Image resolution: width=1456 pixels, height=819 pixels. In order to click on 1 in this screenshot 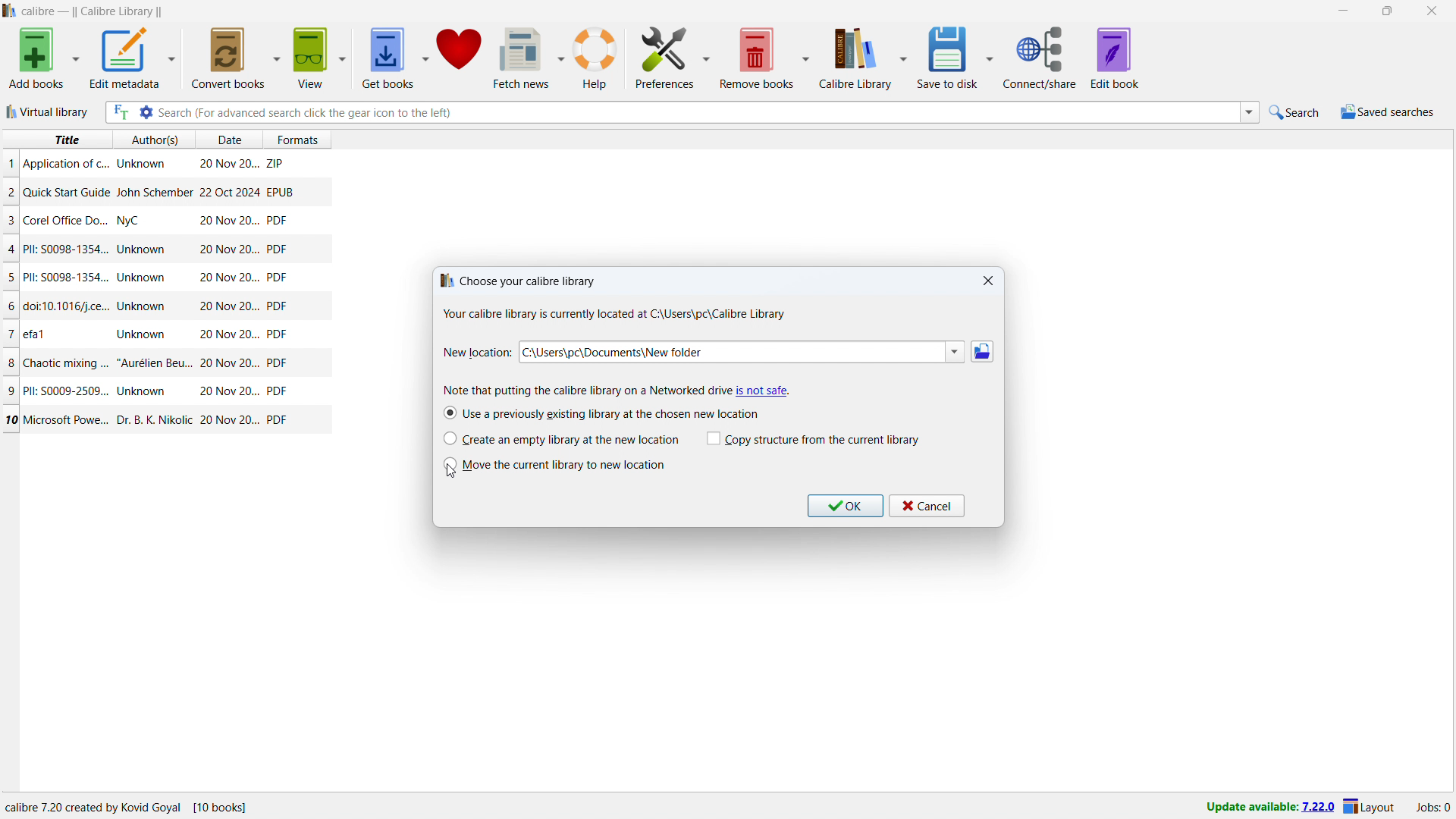, I will do `click(11, 163)`.